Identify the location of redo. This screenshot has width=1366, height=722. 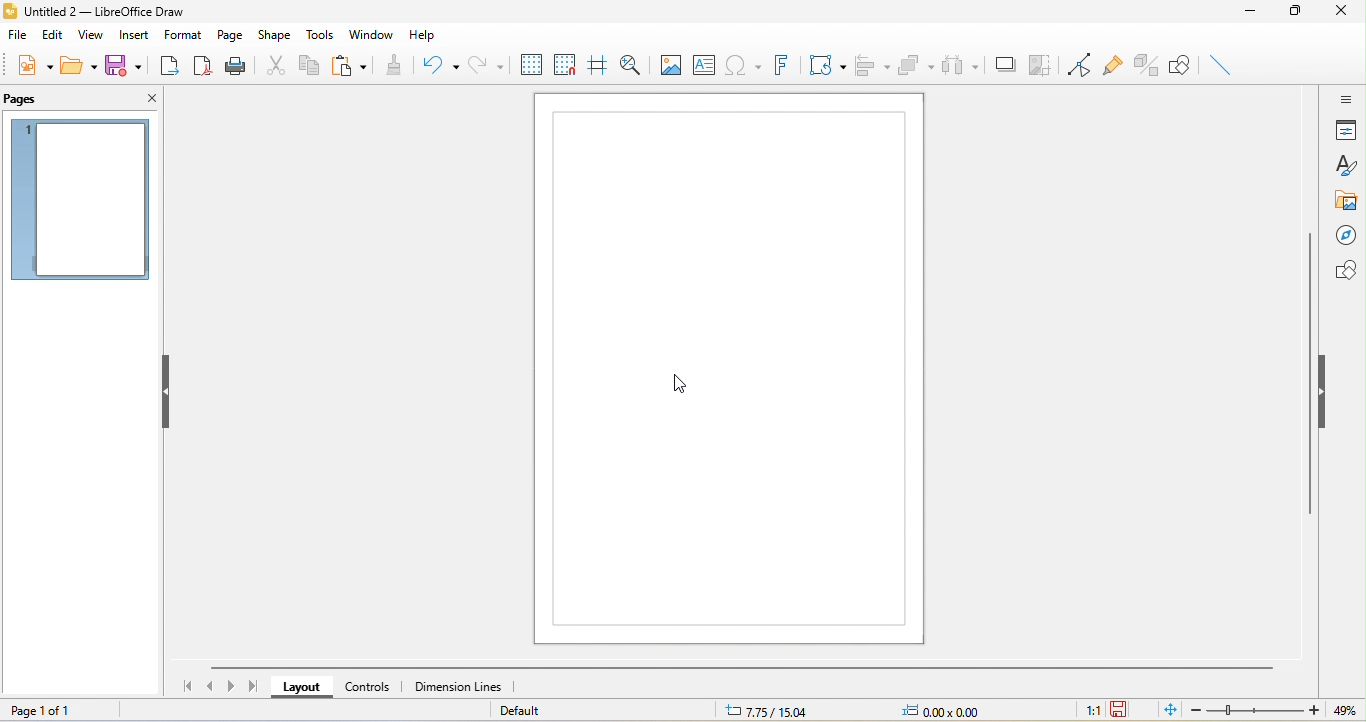
(491, 64).